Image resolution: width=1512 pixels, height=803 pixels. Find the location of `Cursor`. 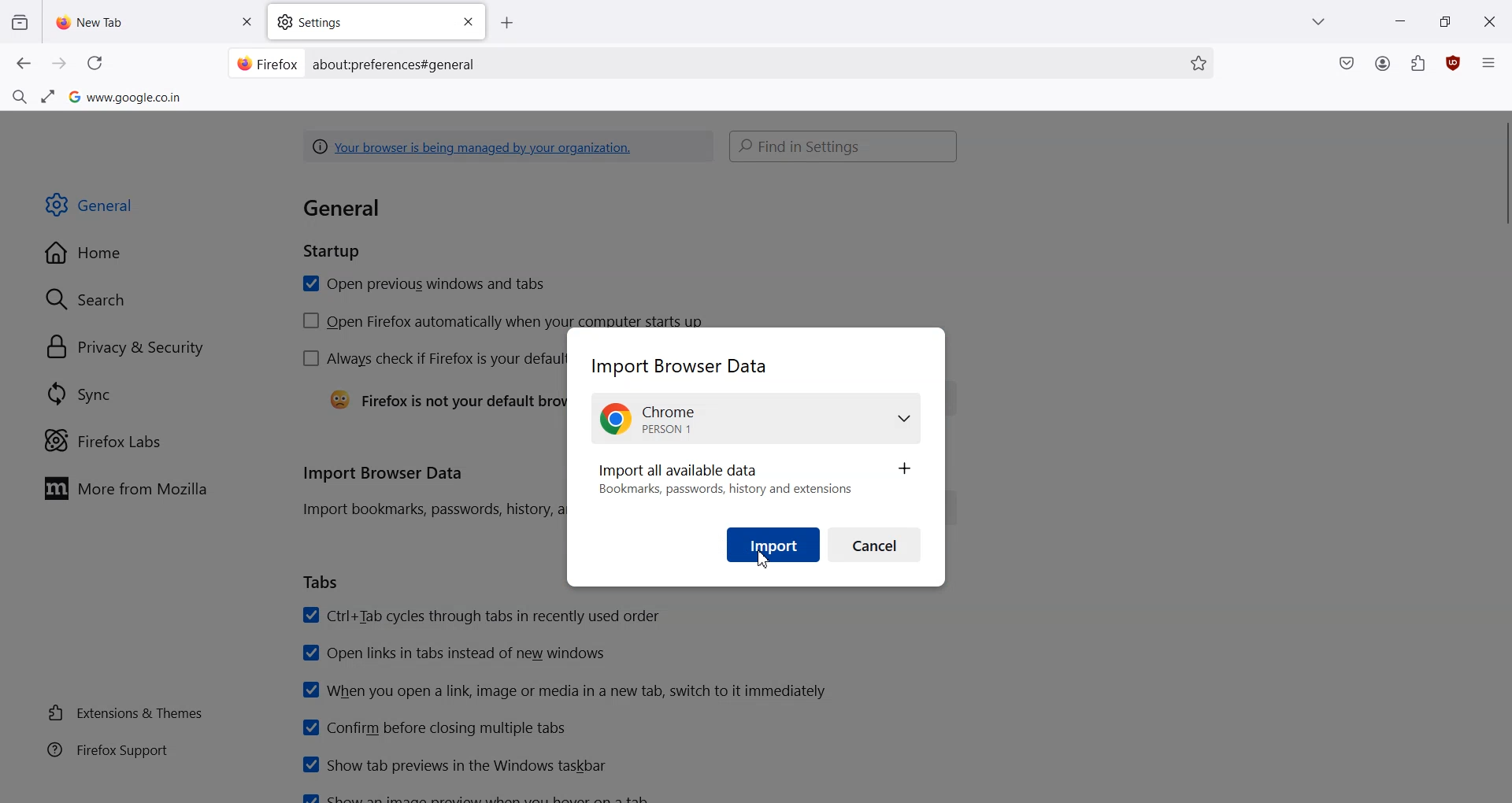

Cursor is located at coordinates (767, 561).